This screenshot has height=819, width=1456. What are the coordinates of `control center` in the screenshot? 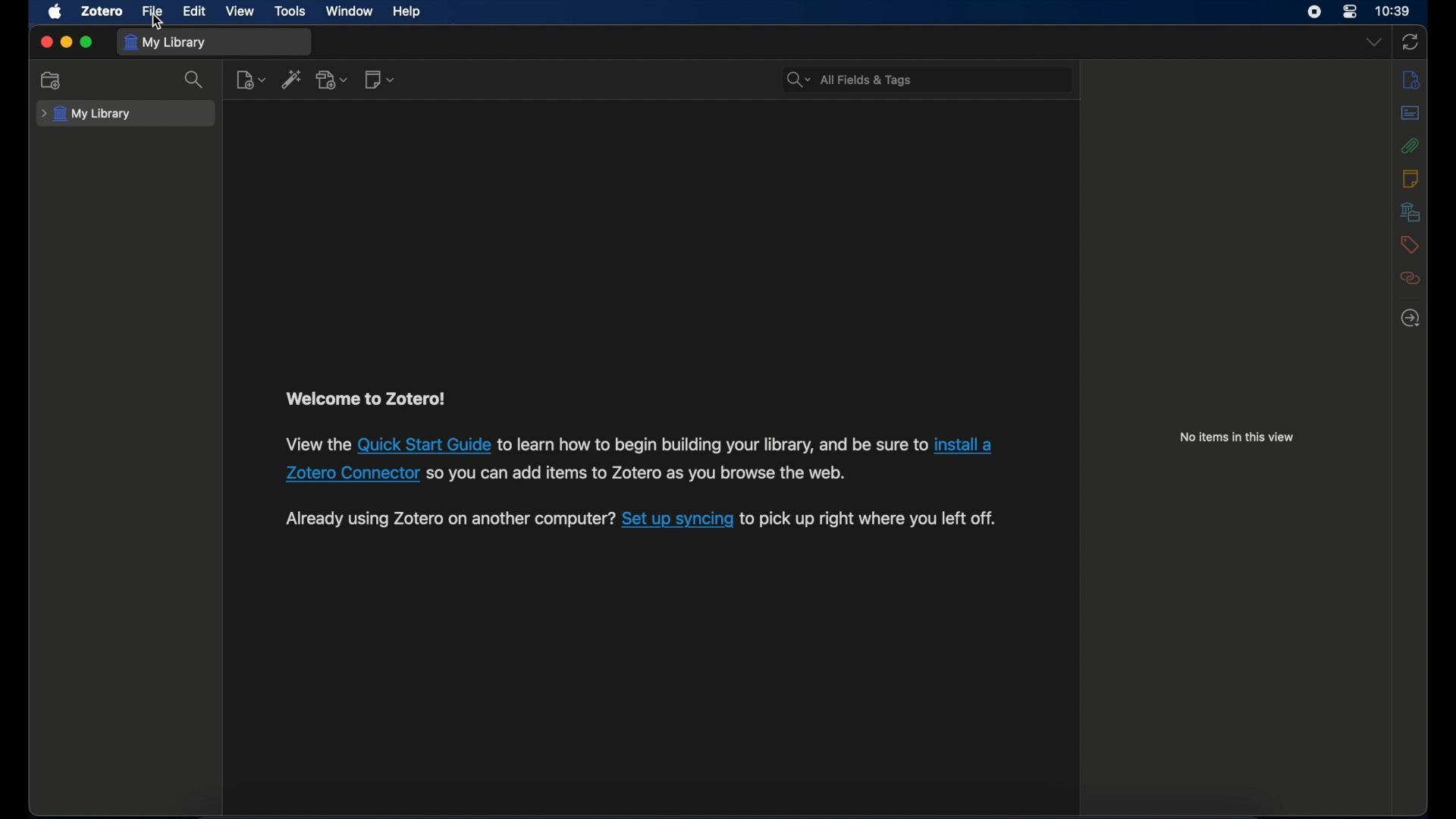 It's located at (1350, 11).